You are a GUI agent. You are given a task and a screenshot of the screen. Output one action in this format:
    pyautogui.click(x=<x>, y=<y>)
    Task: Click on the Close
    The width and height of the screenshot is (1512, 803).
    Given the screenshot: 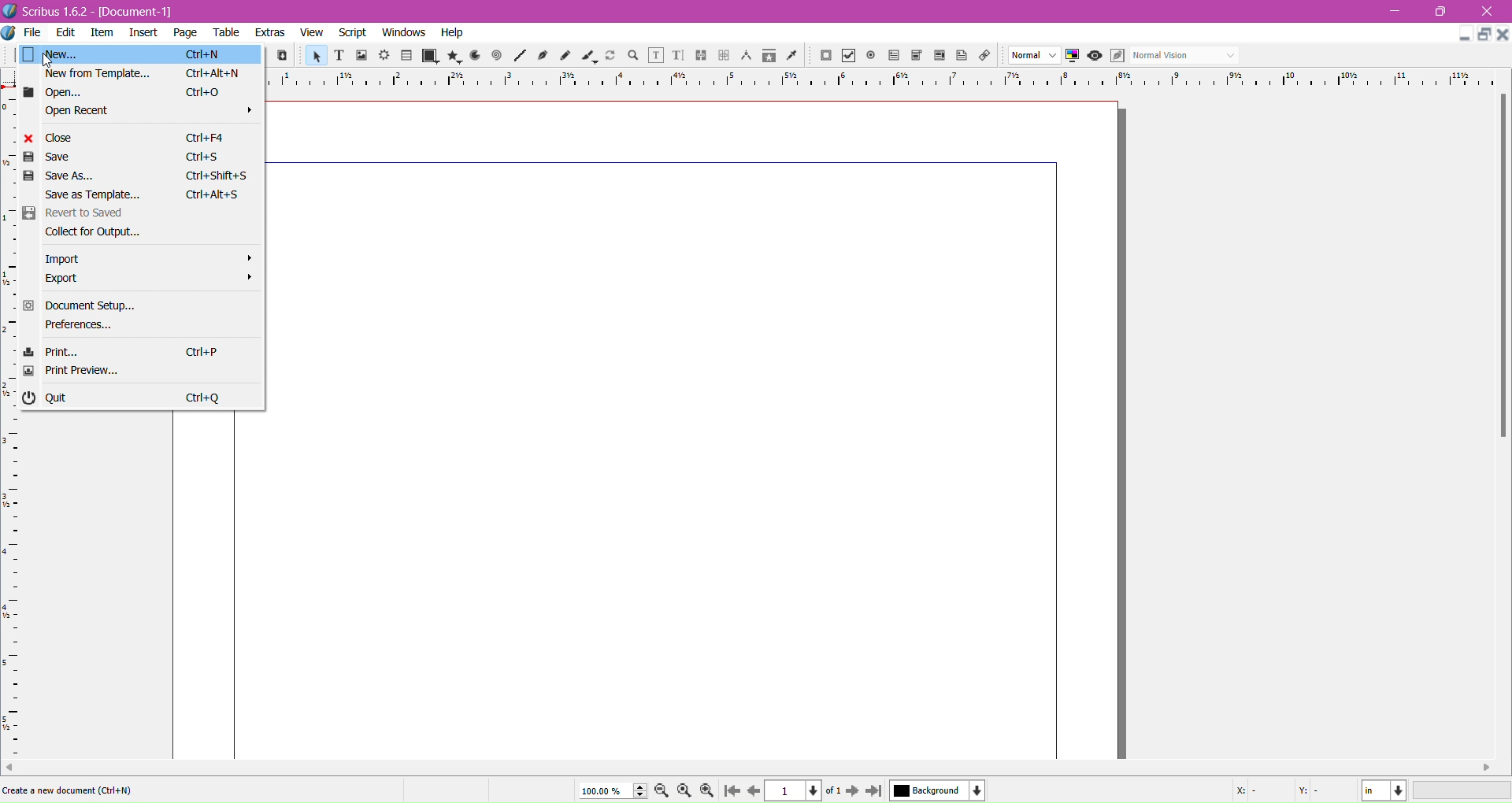 What is the action you would take?
    pyautogui.click(x=134, y=136)
    